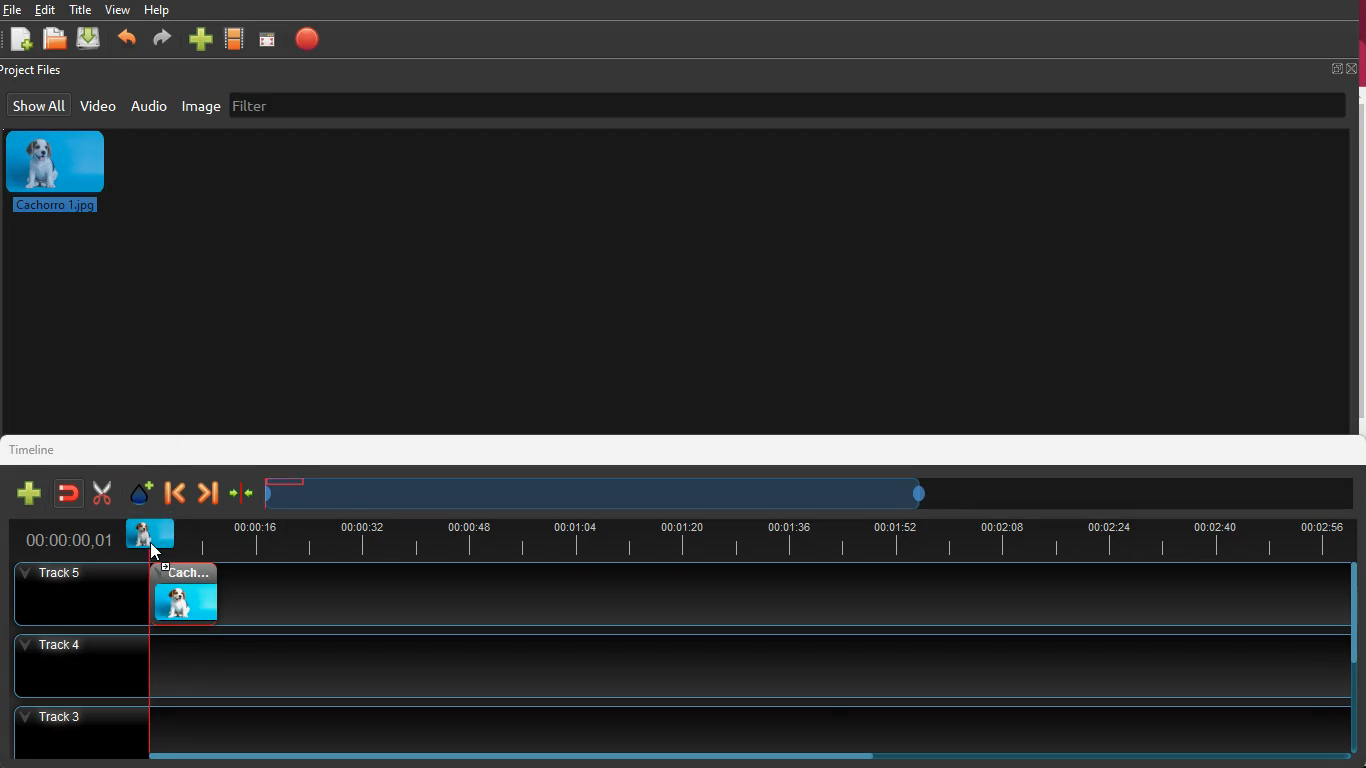  Describe the element at coordinates (55, 40) in the screenshot. I see `open` at that location.